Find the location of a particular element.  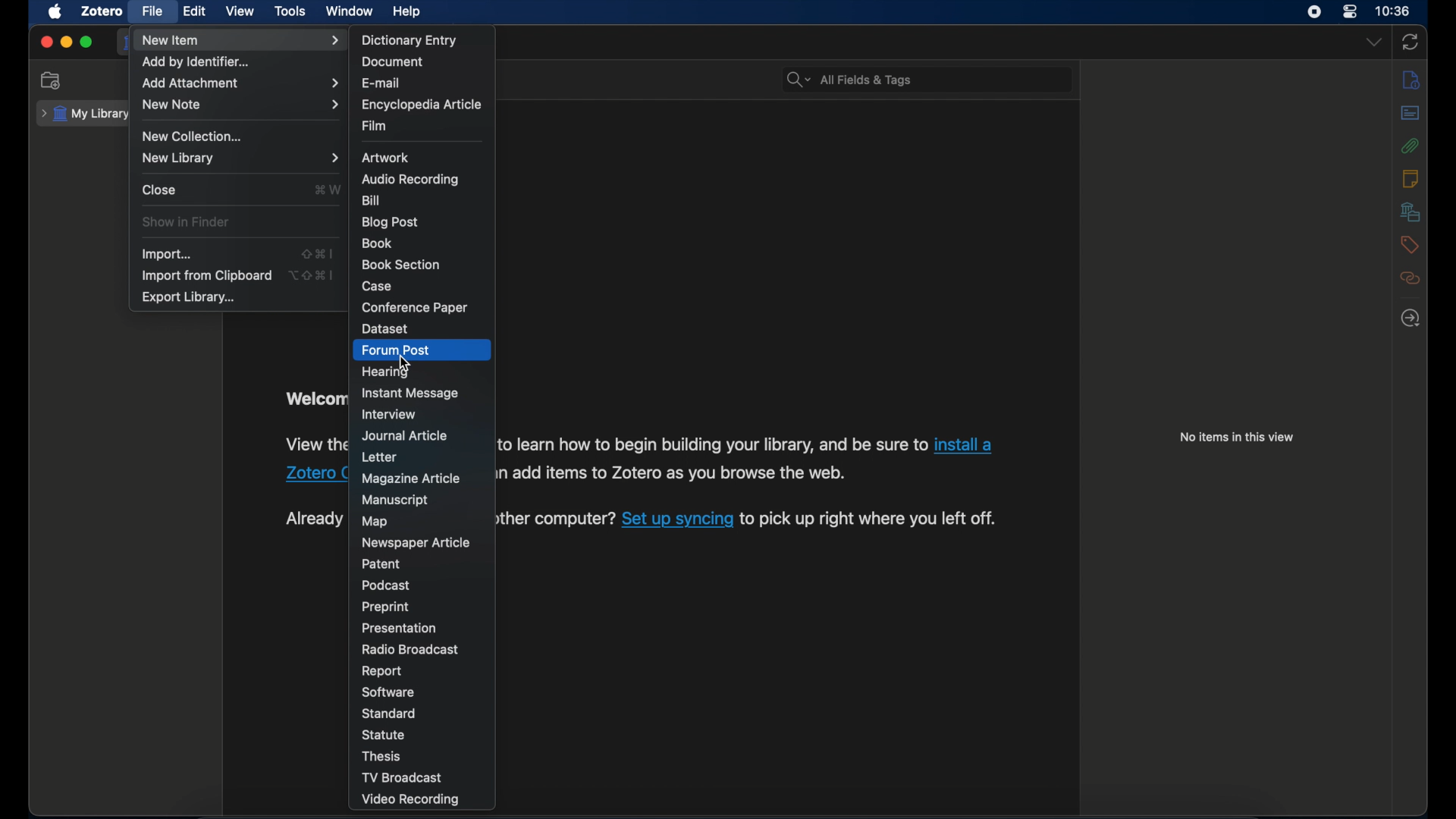

shortcut is located at coordinates (328, 189).